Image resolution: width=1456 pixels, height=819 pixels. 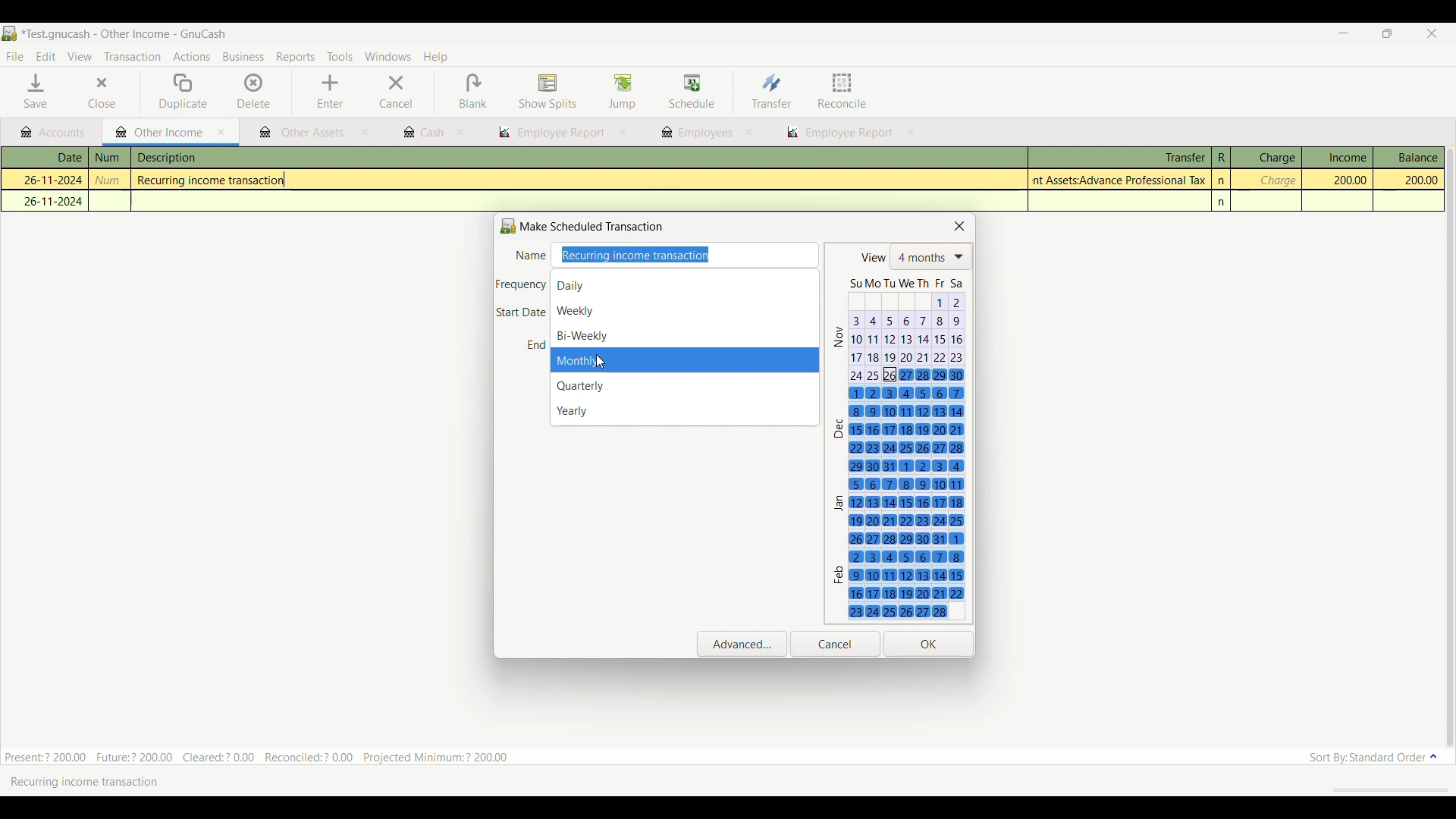 What do you see at coordinates (297, 57) in the screenshot?
I see `Reports menu` at bounding box center [297, 57].